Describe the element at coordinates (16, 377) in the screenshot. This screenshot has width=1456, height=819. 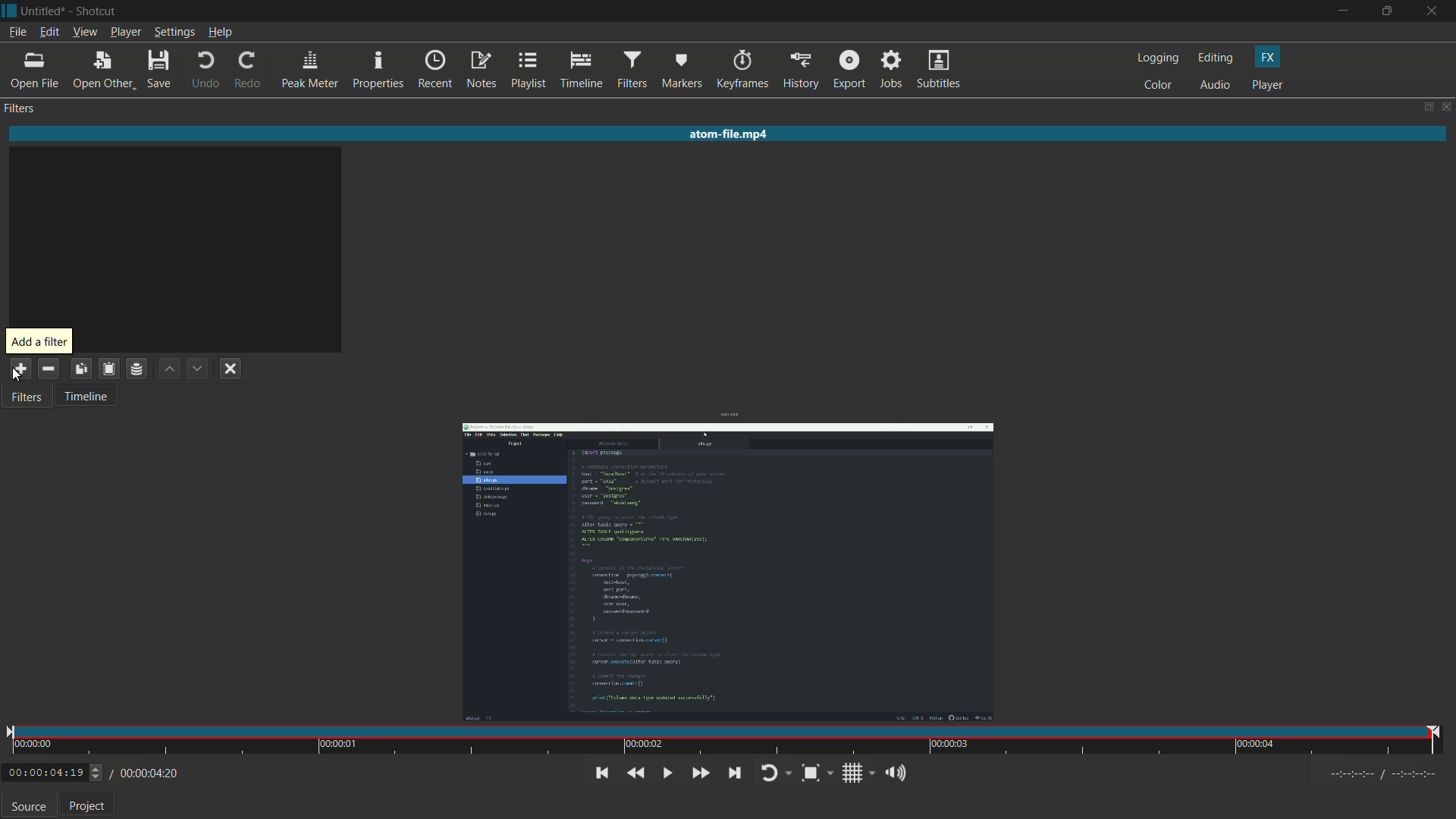
I see `cursor` at that location.